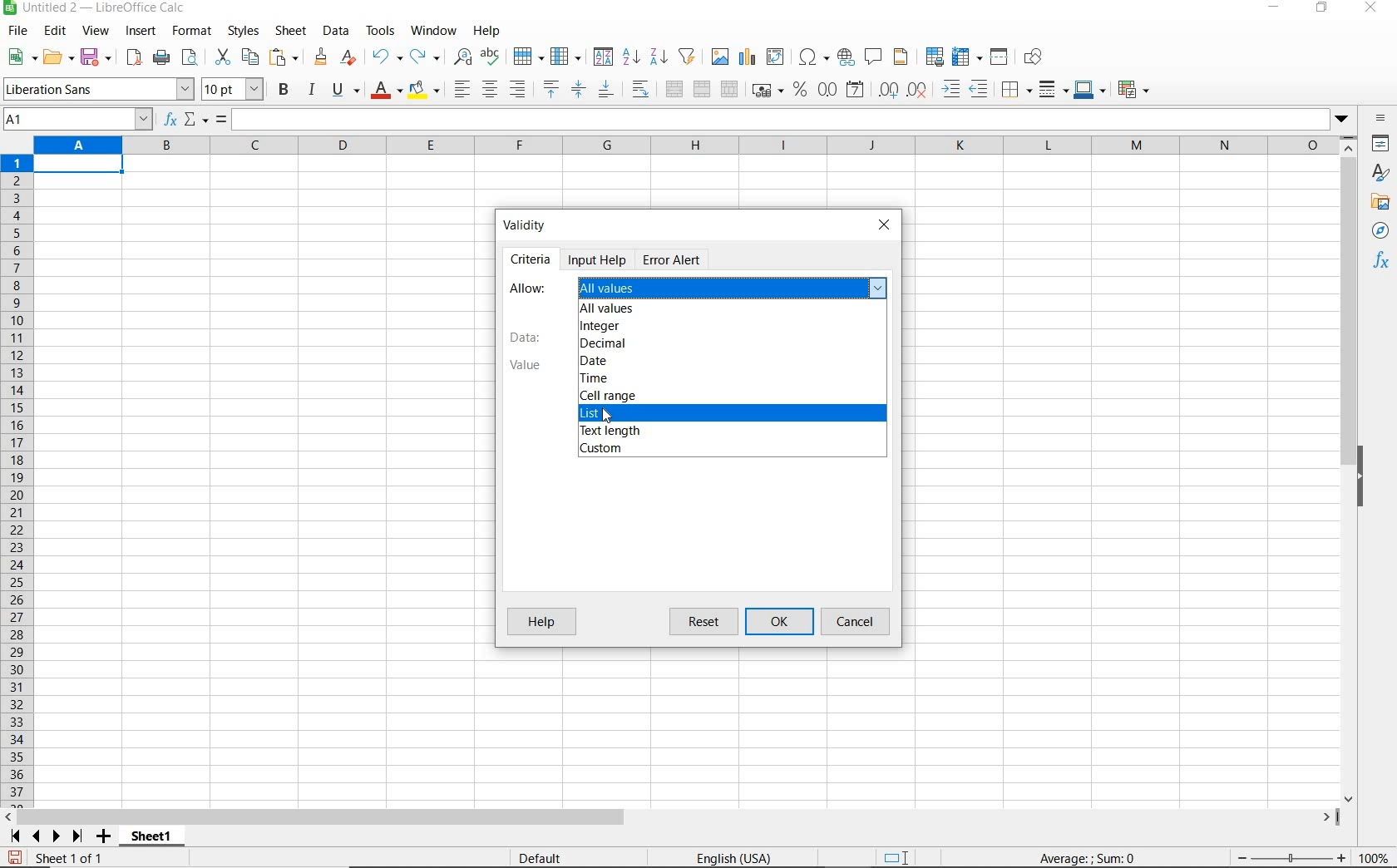  What do you see at coordinates (578, 90) in the screenshot?
I see `center vertically` at bounding box center [578, 90].